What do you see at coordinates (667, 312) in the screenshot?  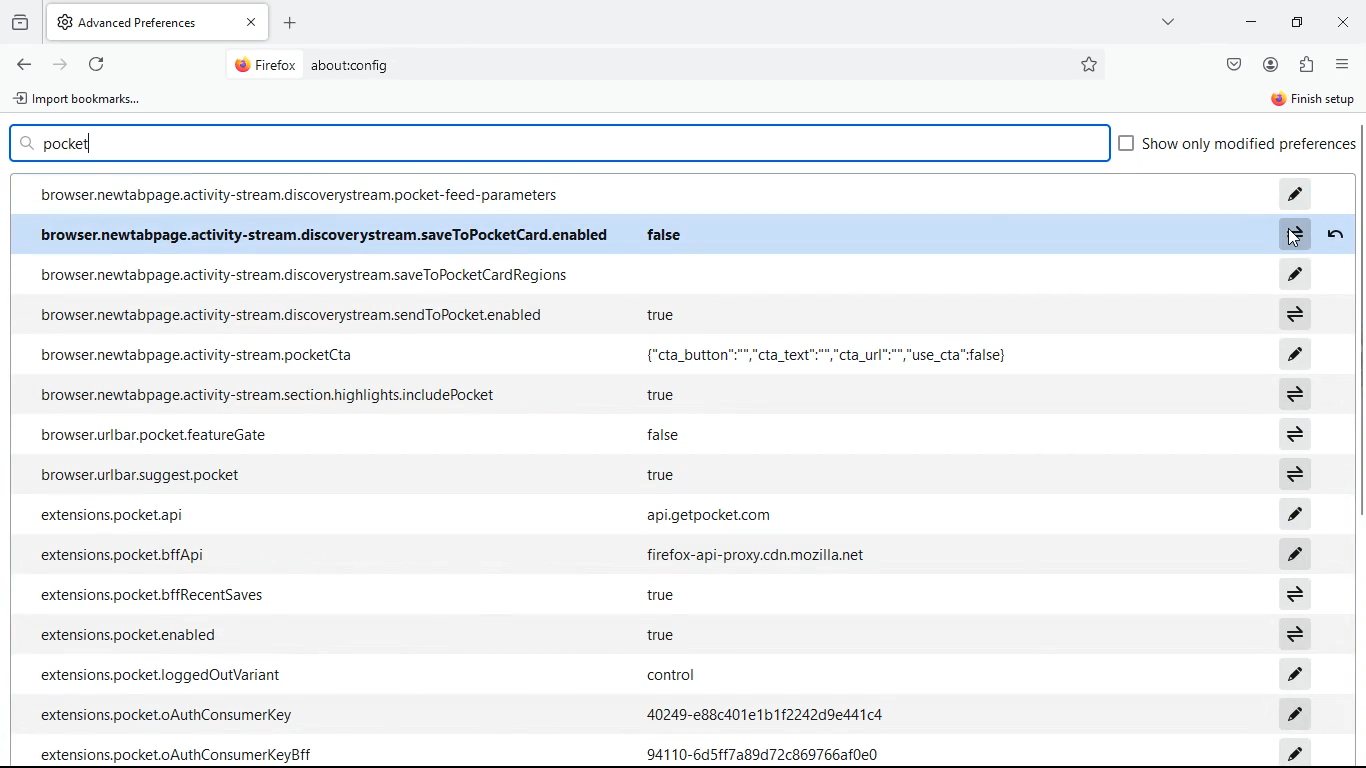 I see `true` at bounding box center [667, 312].